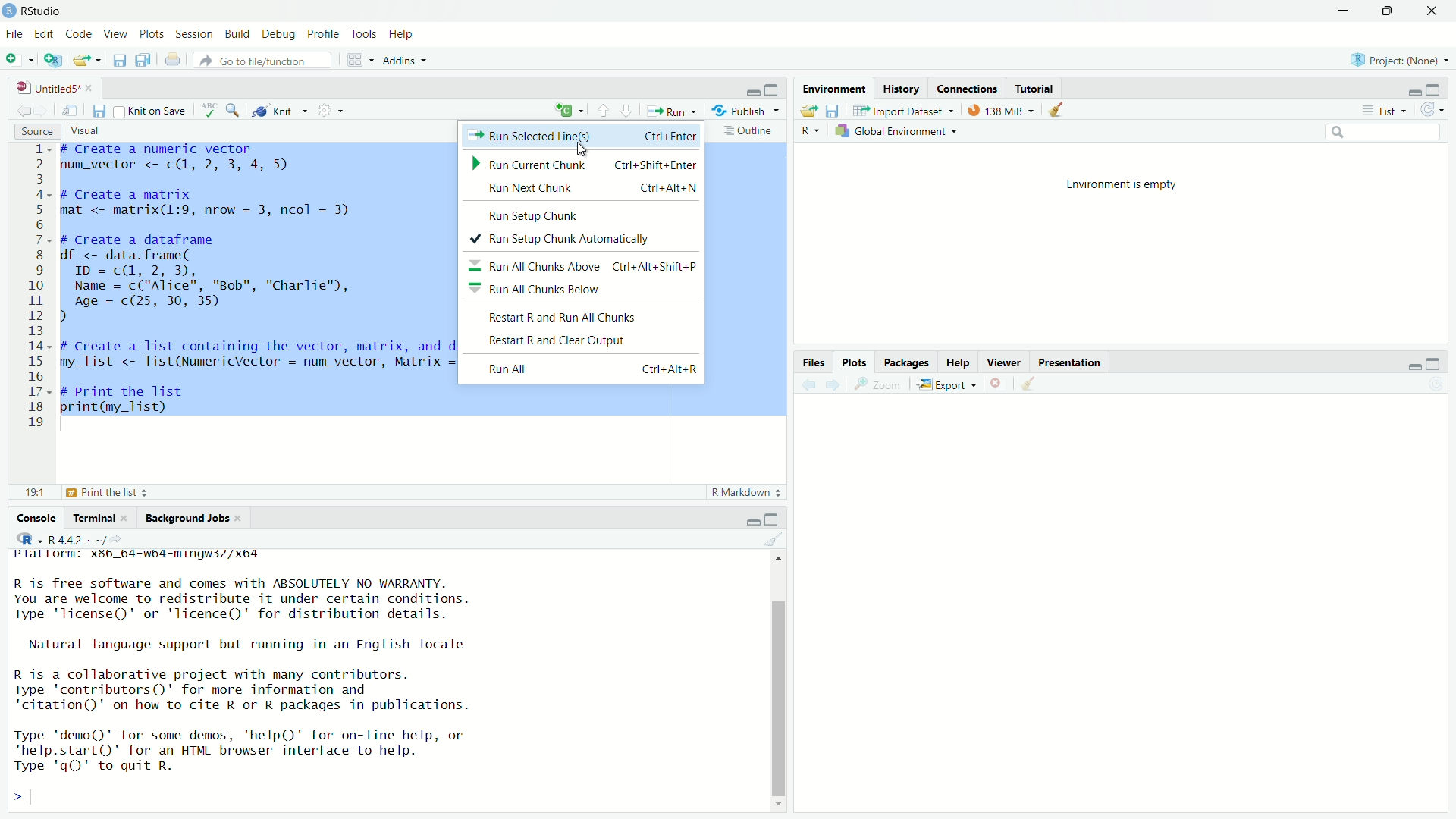 The image size is (1456, 819). Describe the element at coordinates (569, 239) in the screenshot. I see `Run Setup Chunk Automatically` at that location.